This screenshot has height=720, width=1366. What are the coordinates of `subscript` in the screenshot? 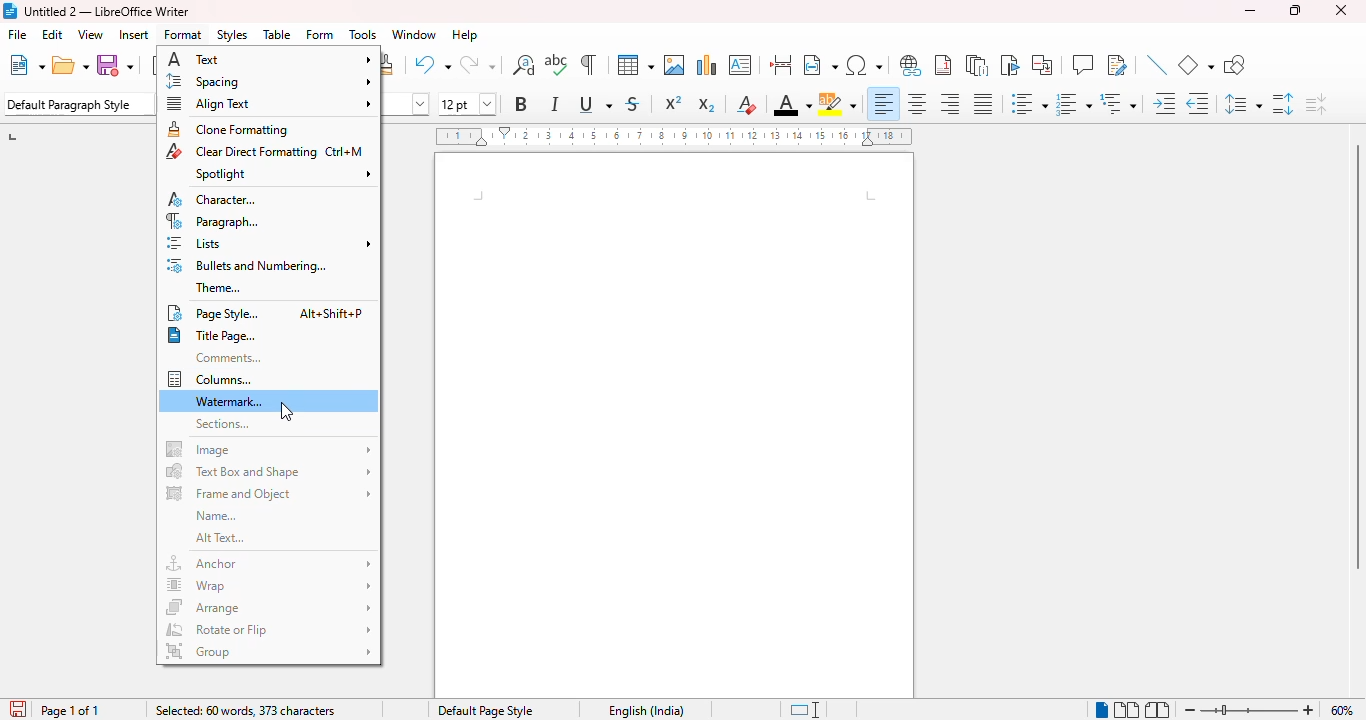 It's located at (706, 105).